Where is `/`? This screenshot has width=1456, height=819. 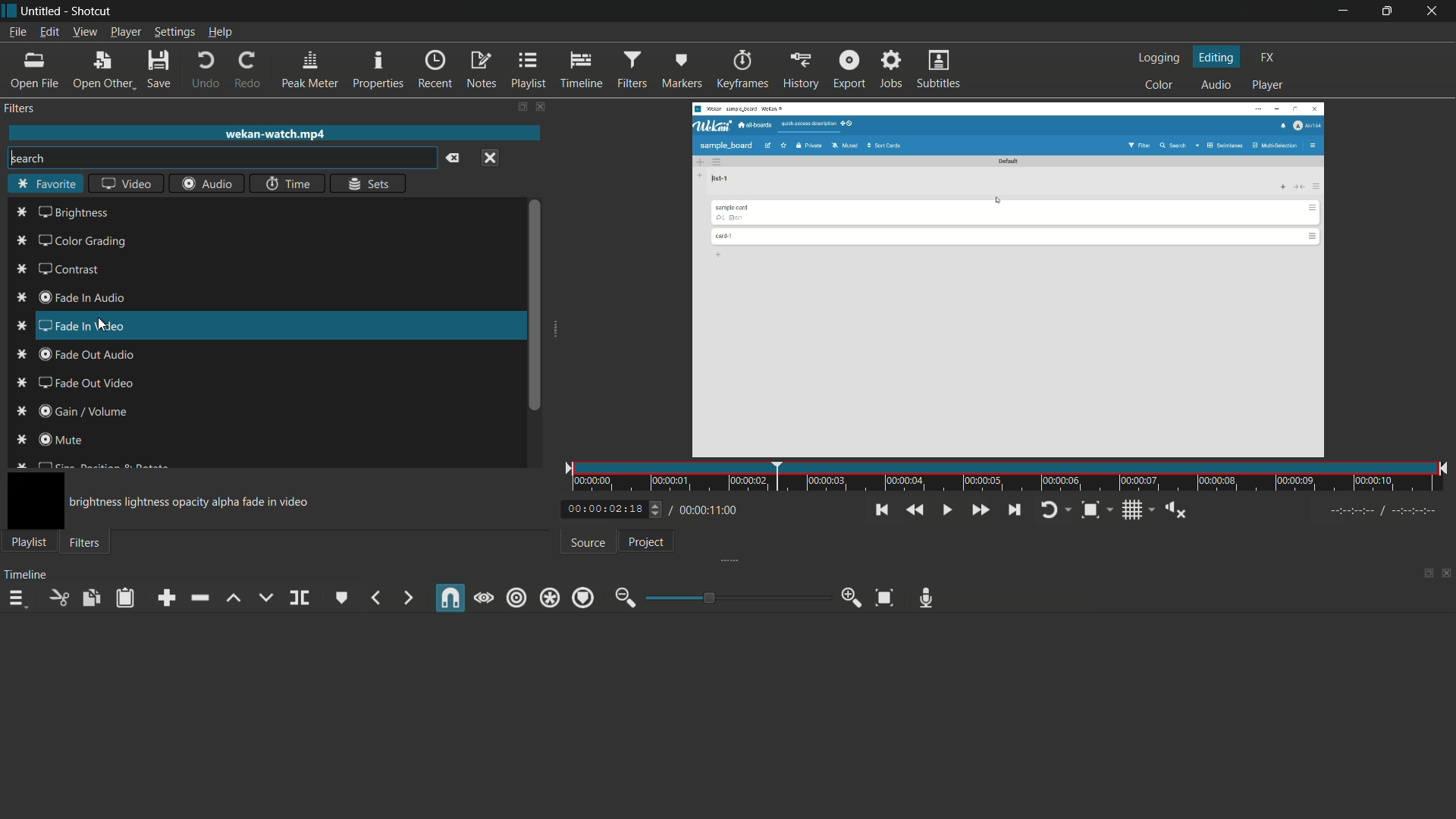 / is located at coordinates (669, 507).